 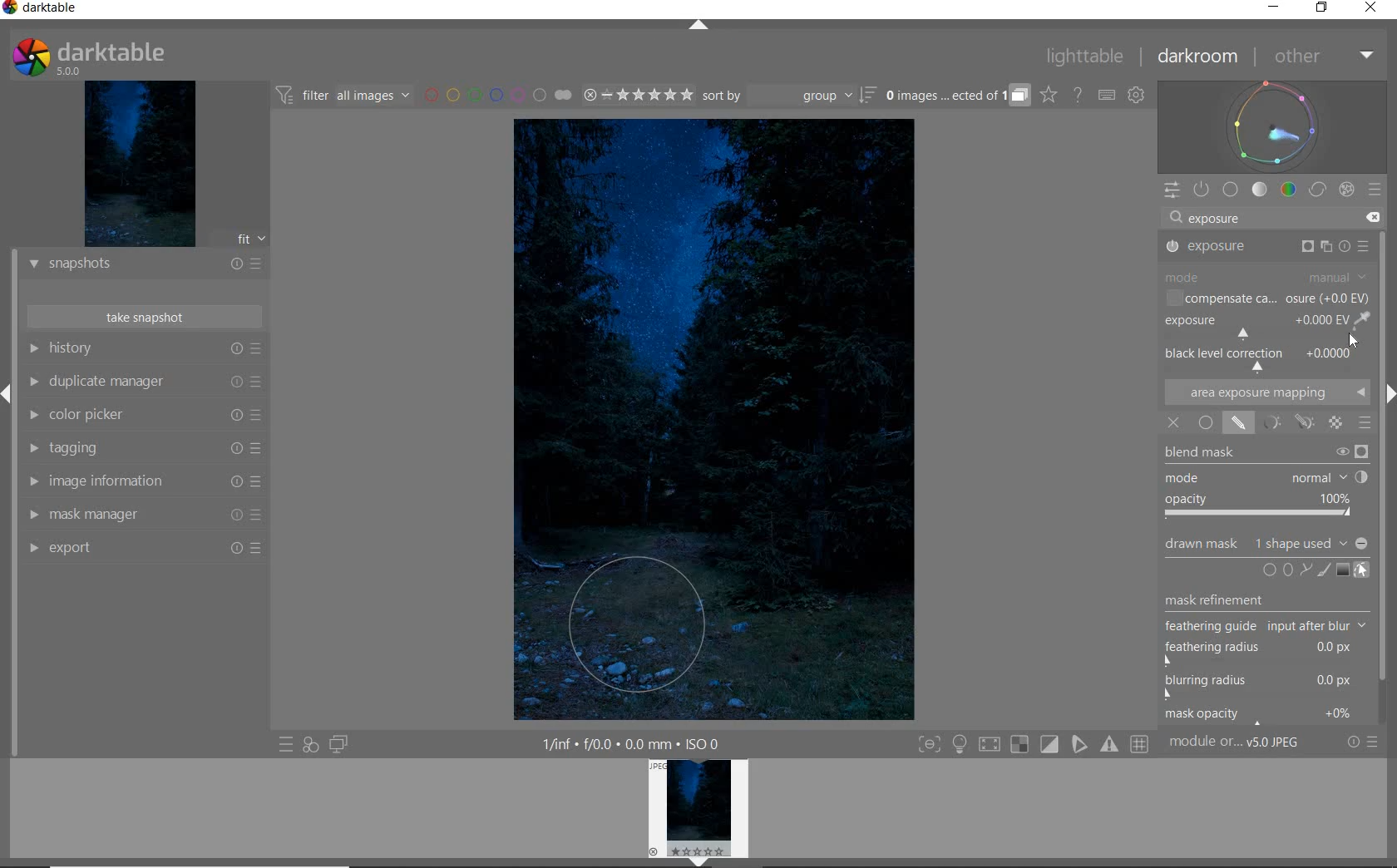 What do you see at coordinates (1347, 190) in the screenshot?
I see `EFFECT` at bounding box center [1347, 190].